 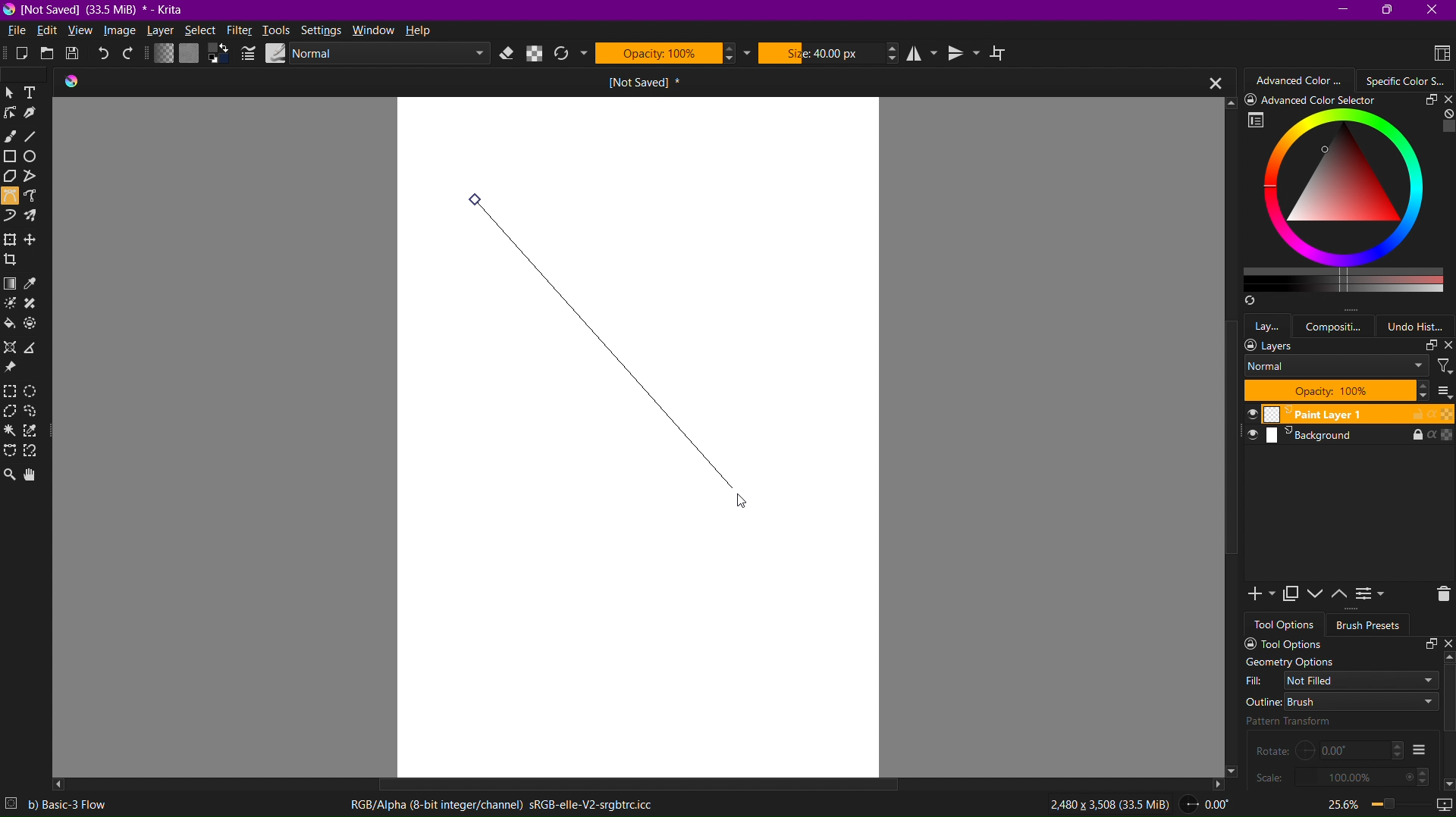 I want to click on Fill , so click(x=1342, y=680).